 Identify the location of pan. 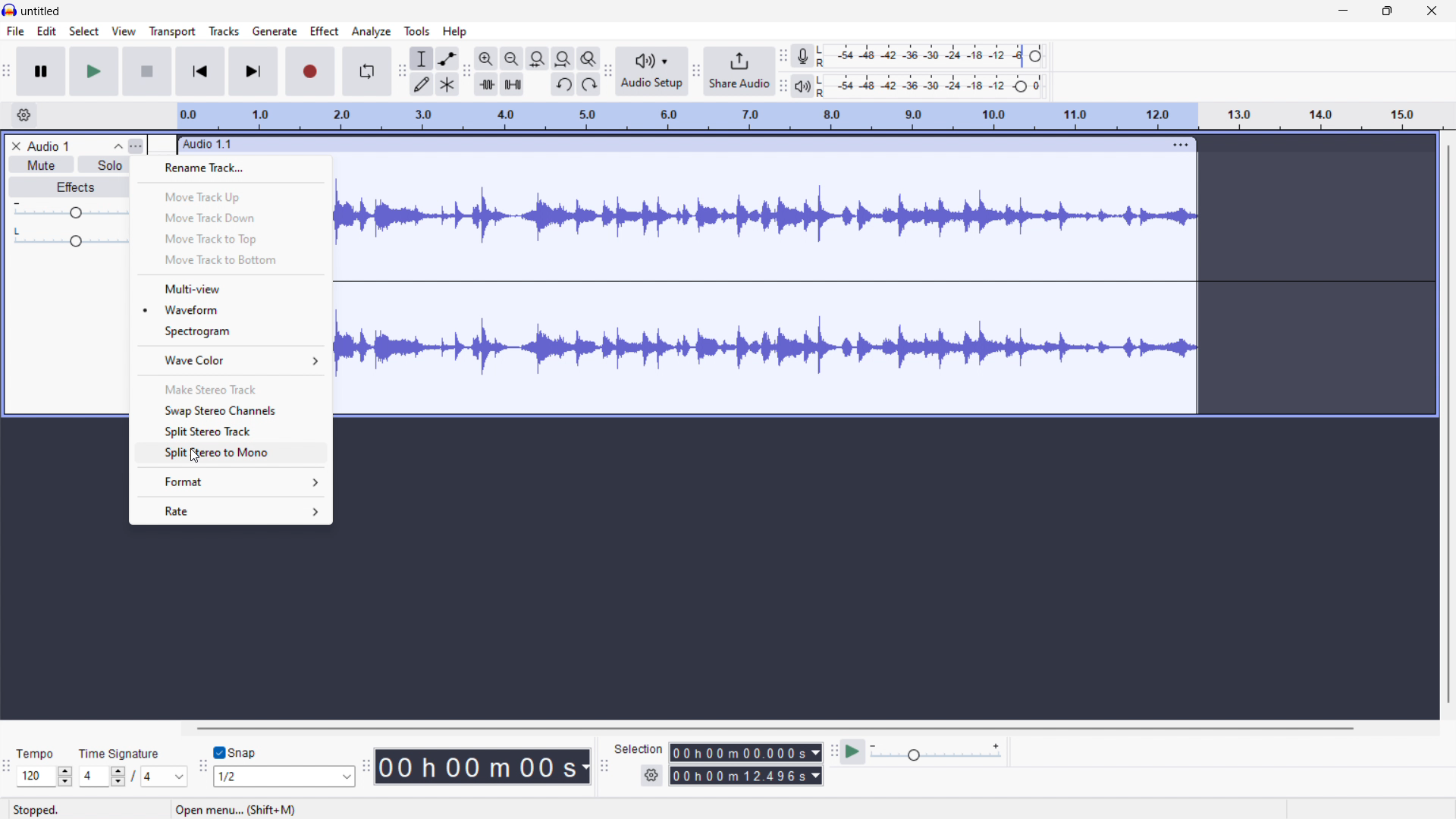
(71, 238).